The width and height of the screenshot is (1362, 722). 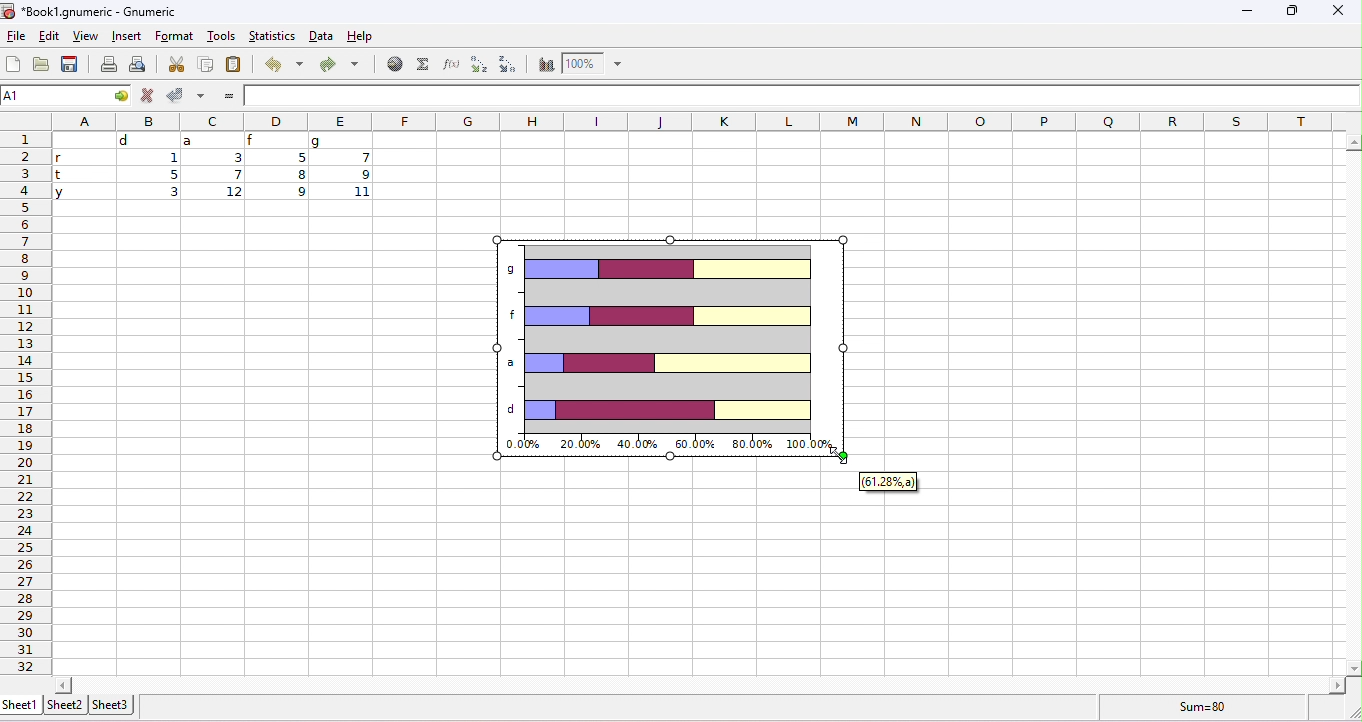 I want to click on stacked bar chart appeared, so click(x=675, y=351).